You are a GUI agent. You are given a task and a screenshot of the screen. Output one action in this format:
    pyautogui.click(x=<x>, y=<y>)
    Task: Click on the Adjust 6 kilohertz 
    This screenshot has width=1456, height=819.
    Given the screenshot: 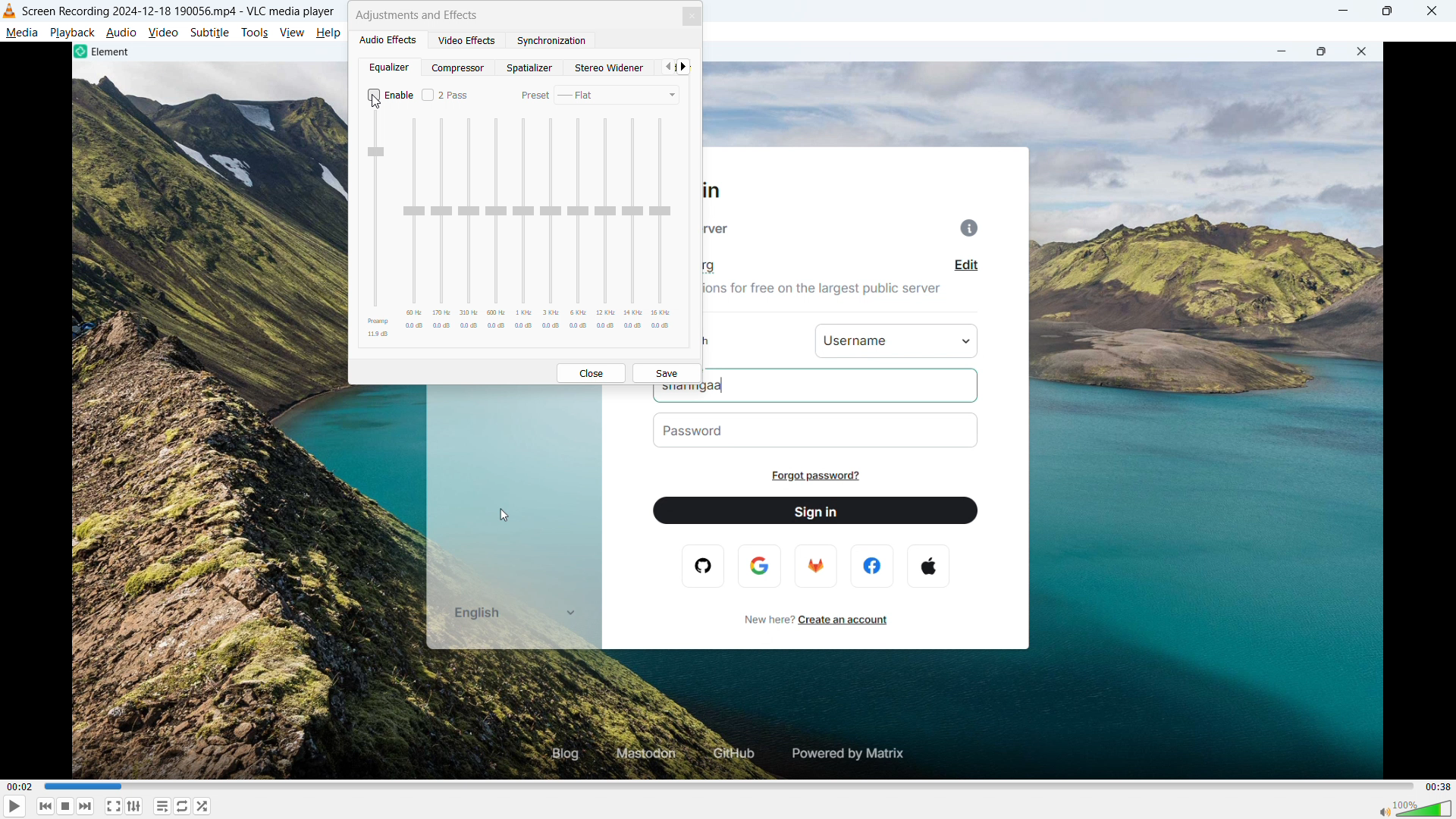 What is the action you would take?
    pyautogui.click(x=579, y=224)
    